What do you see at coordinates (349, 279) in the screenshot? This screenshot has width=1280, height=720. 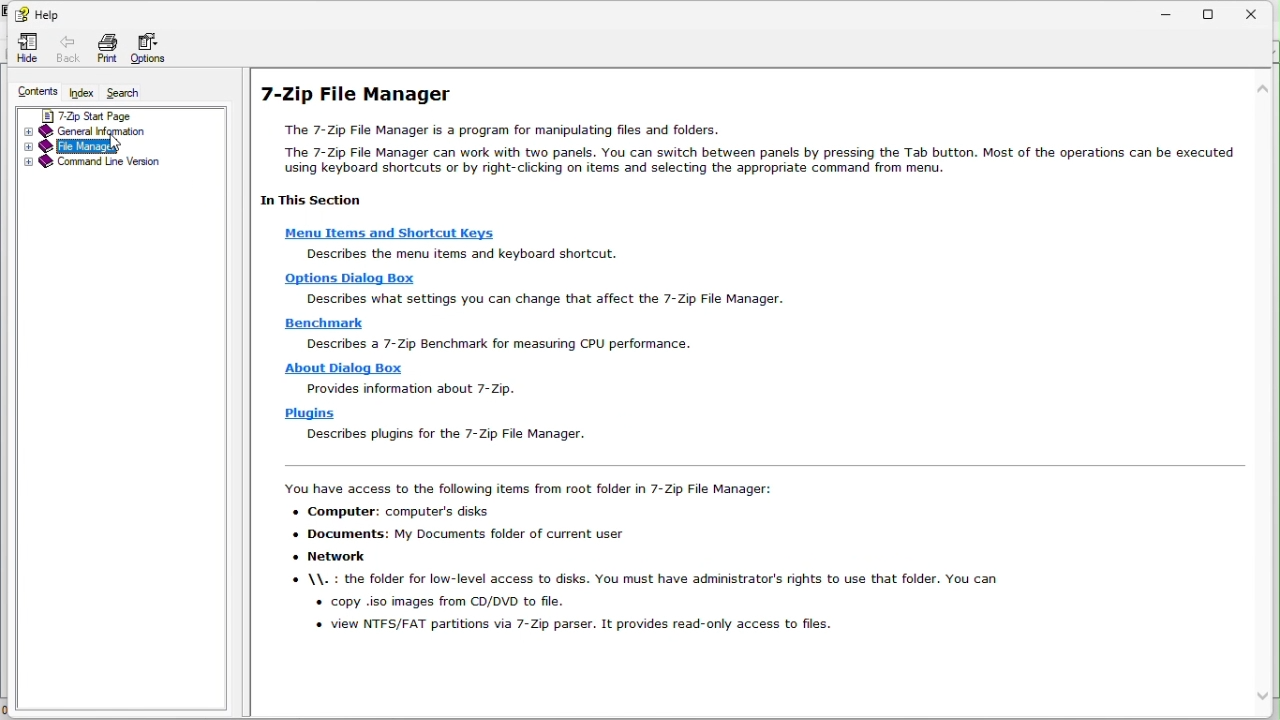 I see `Options dialogue box` at bounding box center [349, 279].